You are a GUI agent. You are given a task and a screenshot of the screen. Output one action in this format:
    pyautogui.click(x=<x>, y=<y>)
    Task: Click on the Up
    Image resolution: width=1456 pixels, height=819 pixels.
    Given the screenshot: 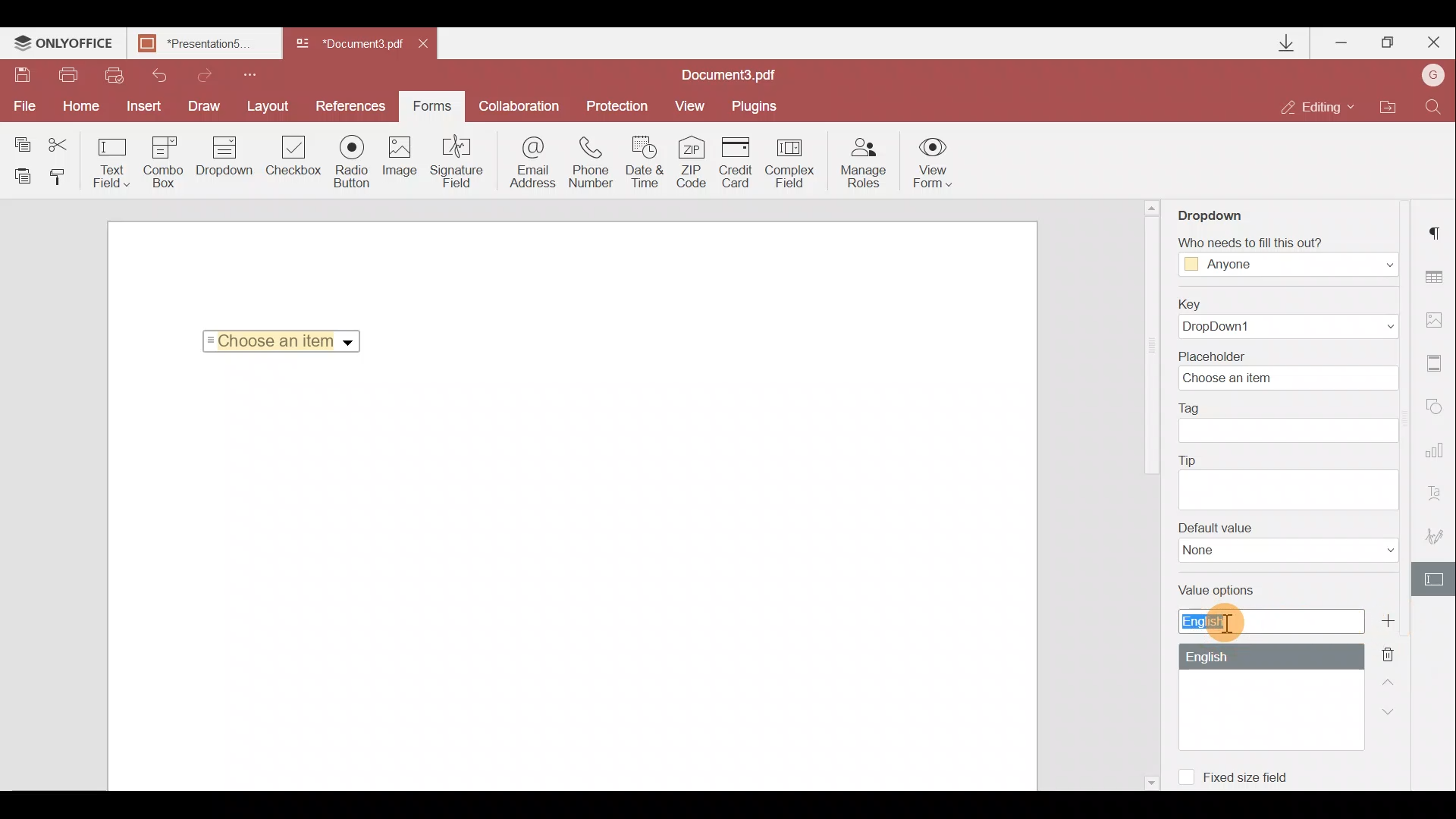 What is the action you would take?
    pyautogui.click(x=1392, y=680)
    